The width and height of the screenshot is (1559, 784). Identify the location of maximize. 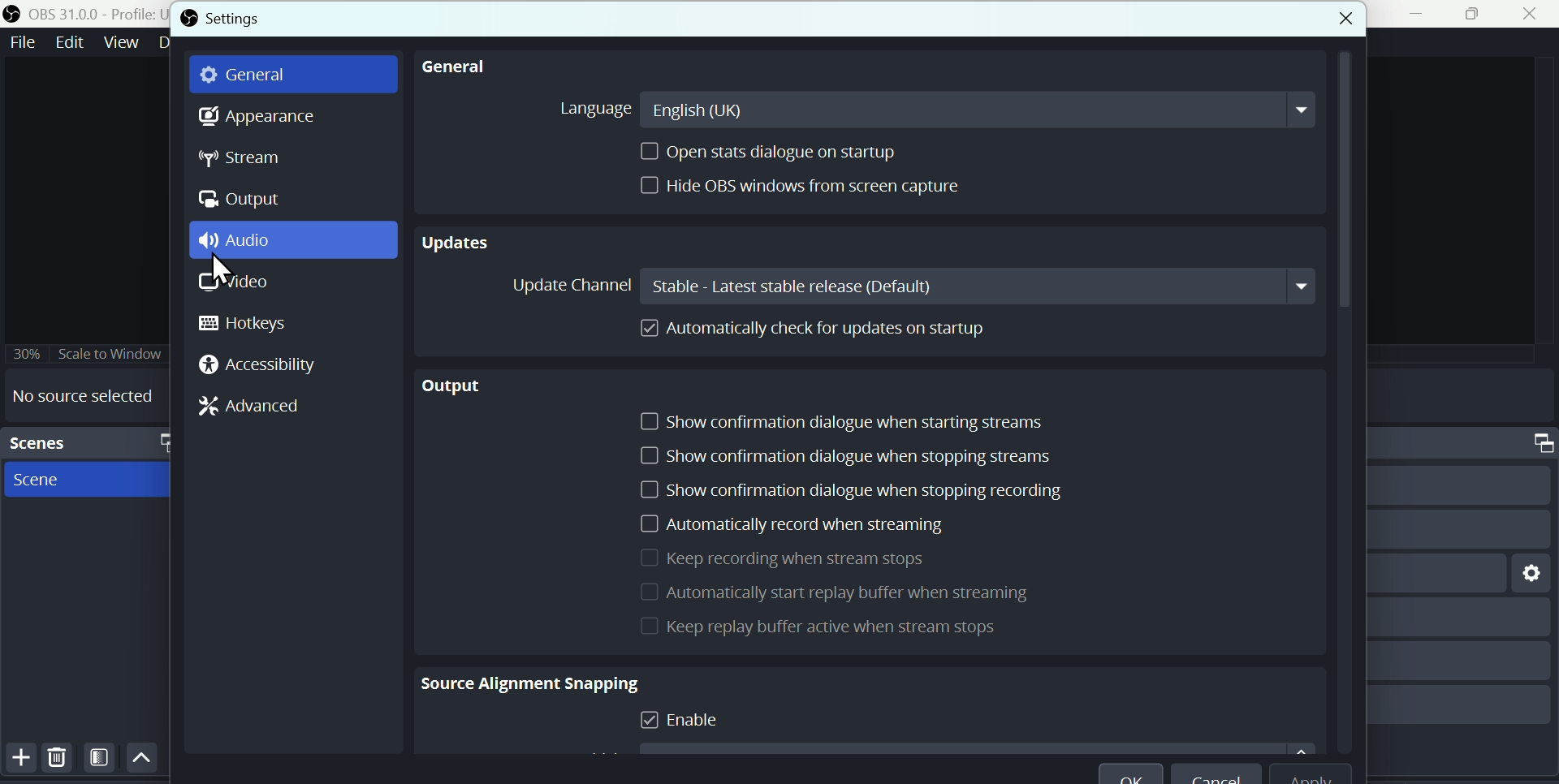
(162, 442).